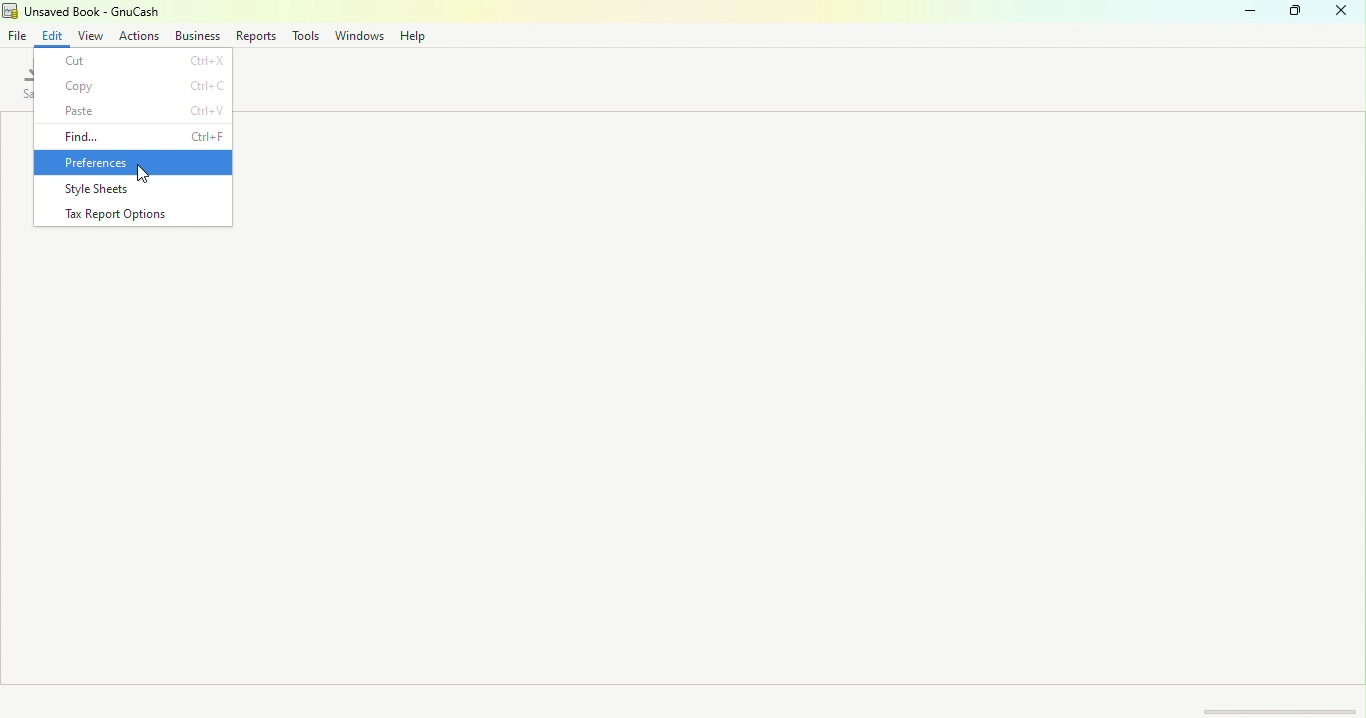  What do you see at coordinates (358, 37) in the screenshot?
I see `Windows` at bounding box center [358, 37].